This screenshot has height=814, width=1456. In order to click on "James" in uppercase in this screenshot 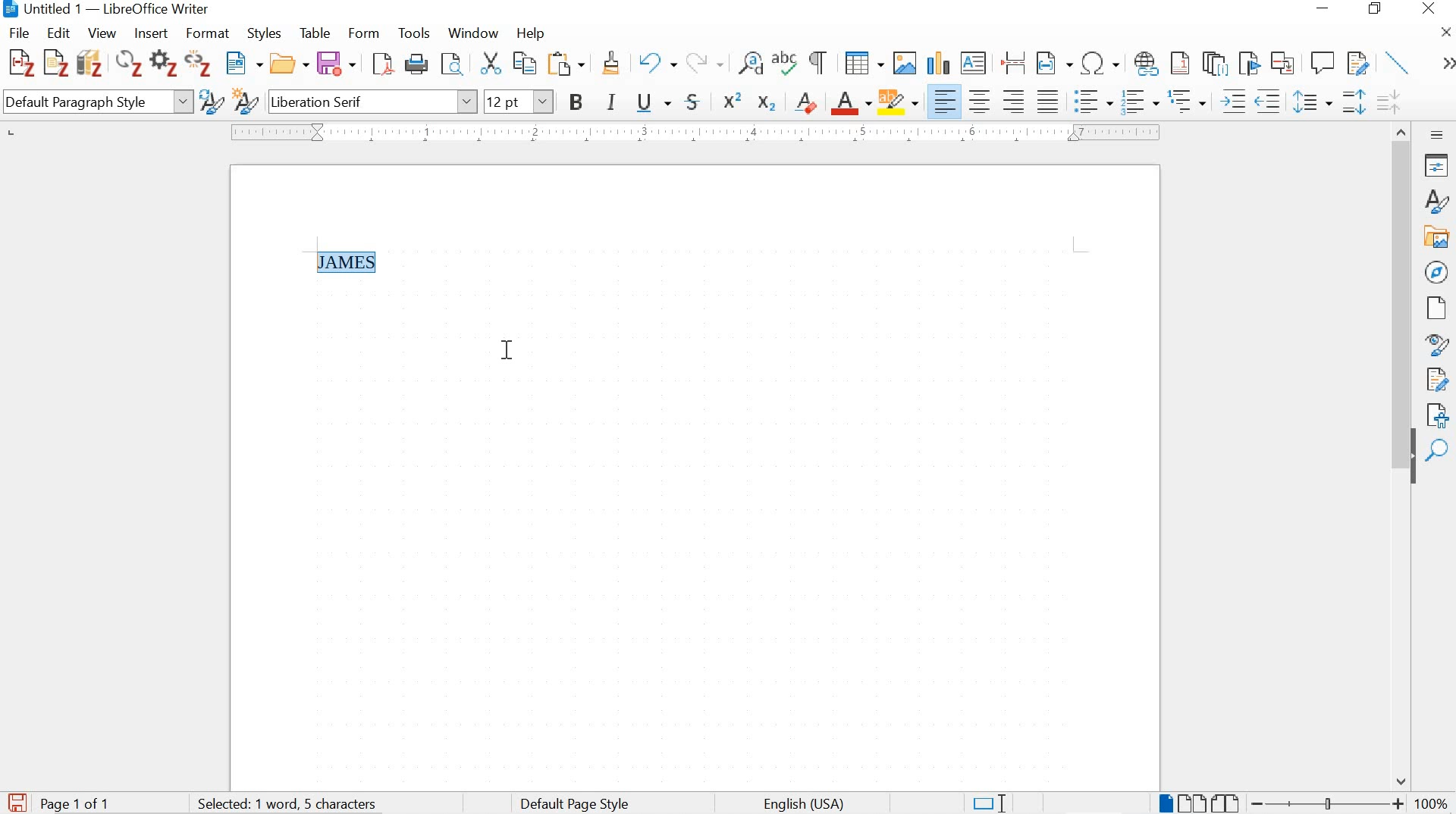, I will do `click(352, 262)`.